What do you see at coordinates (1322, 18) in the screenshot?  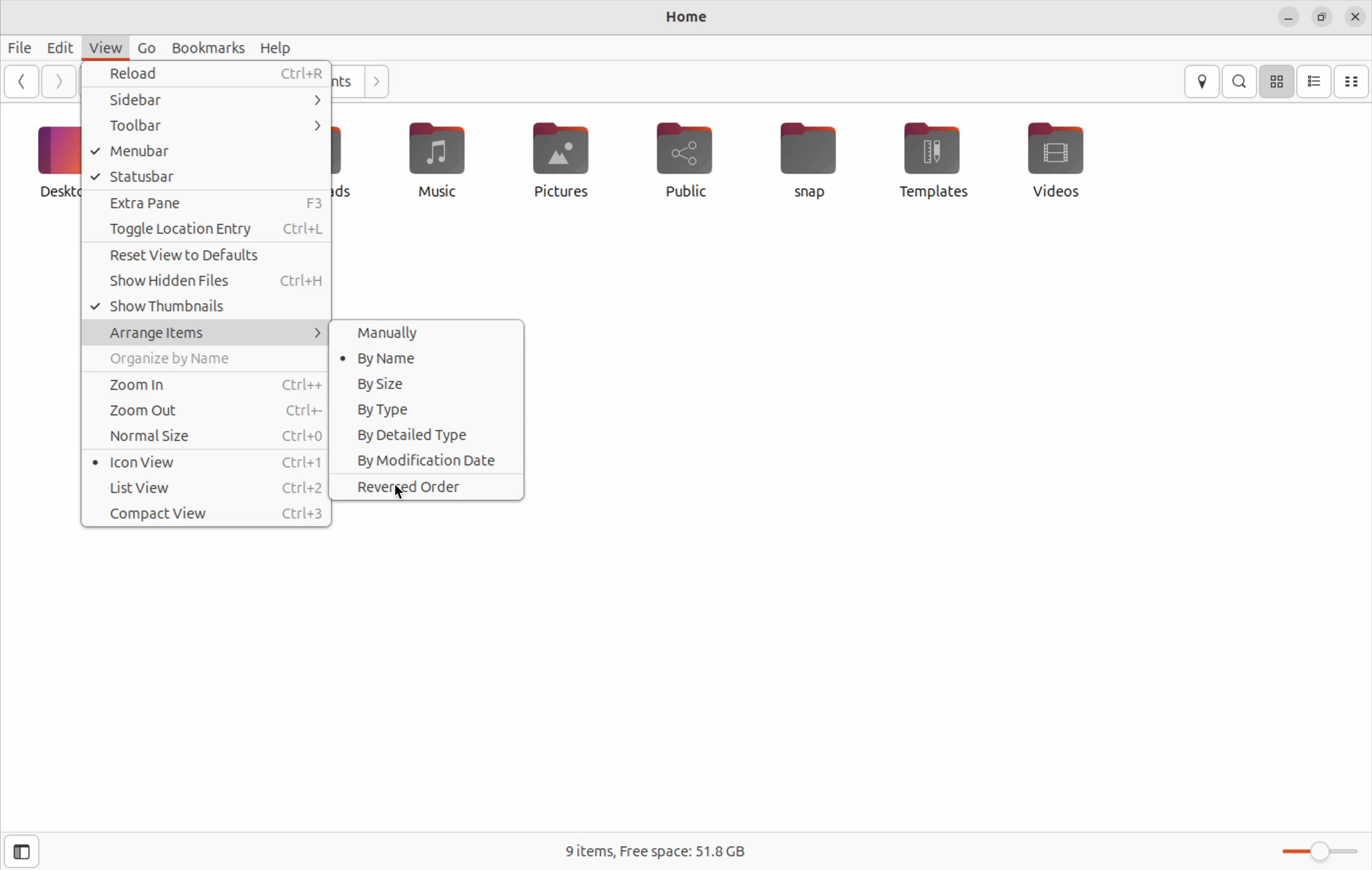 I see `resize` at bounding box center [1322, 18].